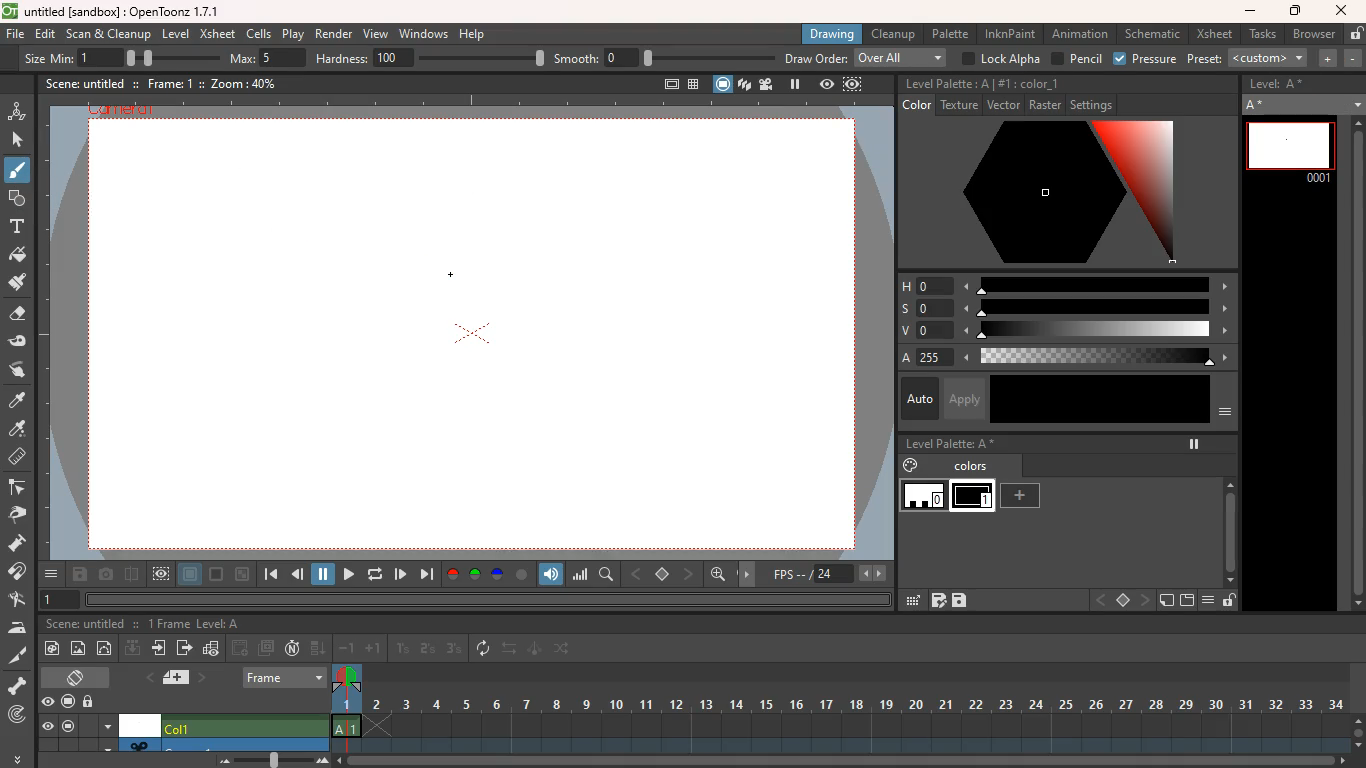 The image size is (1366, 768). Describe the element at coordinates (242, 574) in the screenshot. I see `minimize` at that location.